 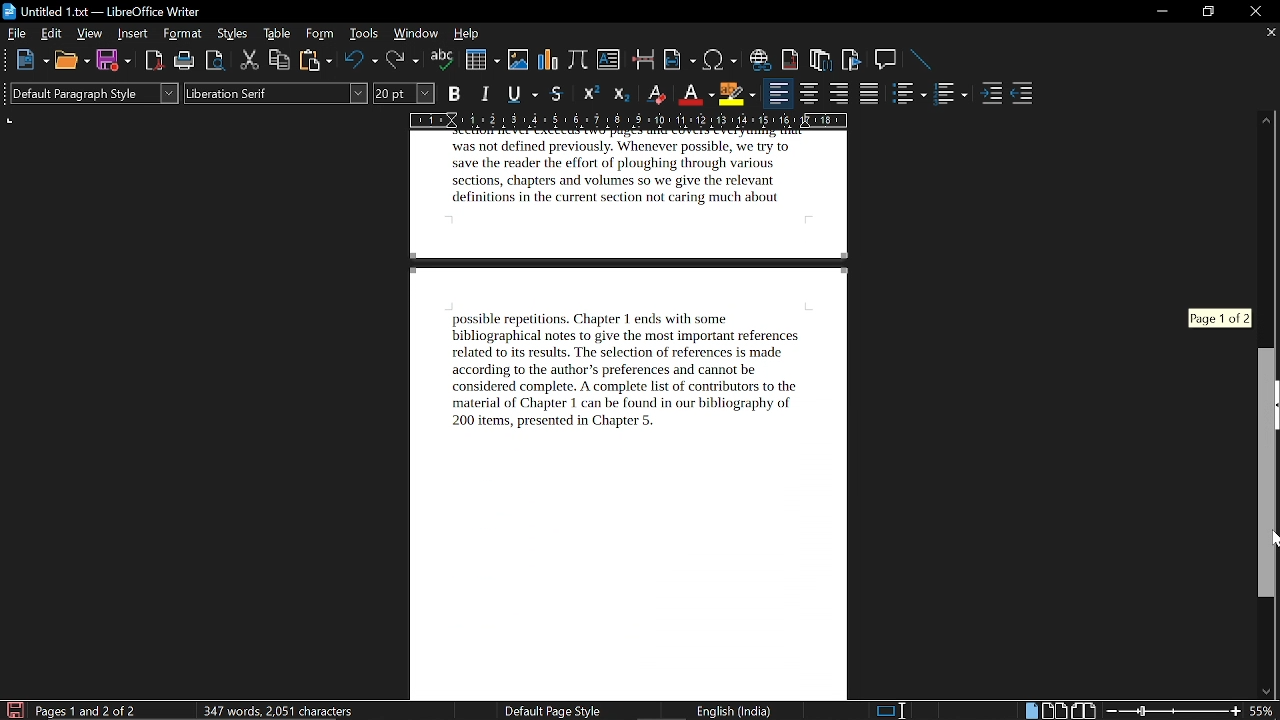 What do you see at coordinates (315, 61) in the screenshot?
I see `paste` at bounding box center [315, 61].